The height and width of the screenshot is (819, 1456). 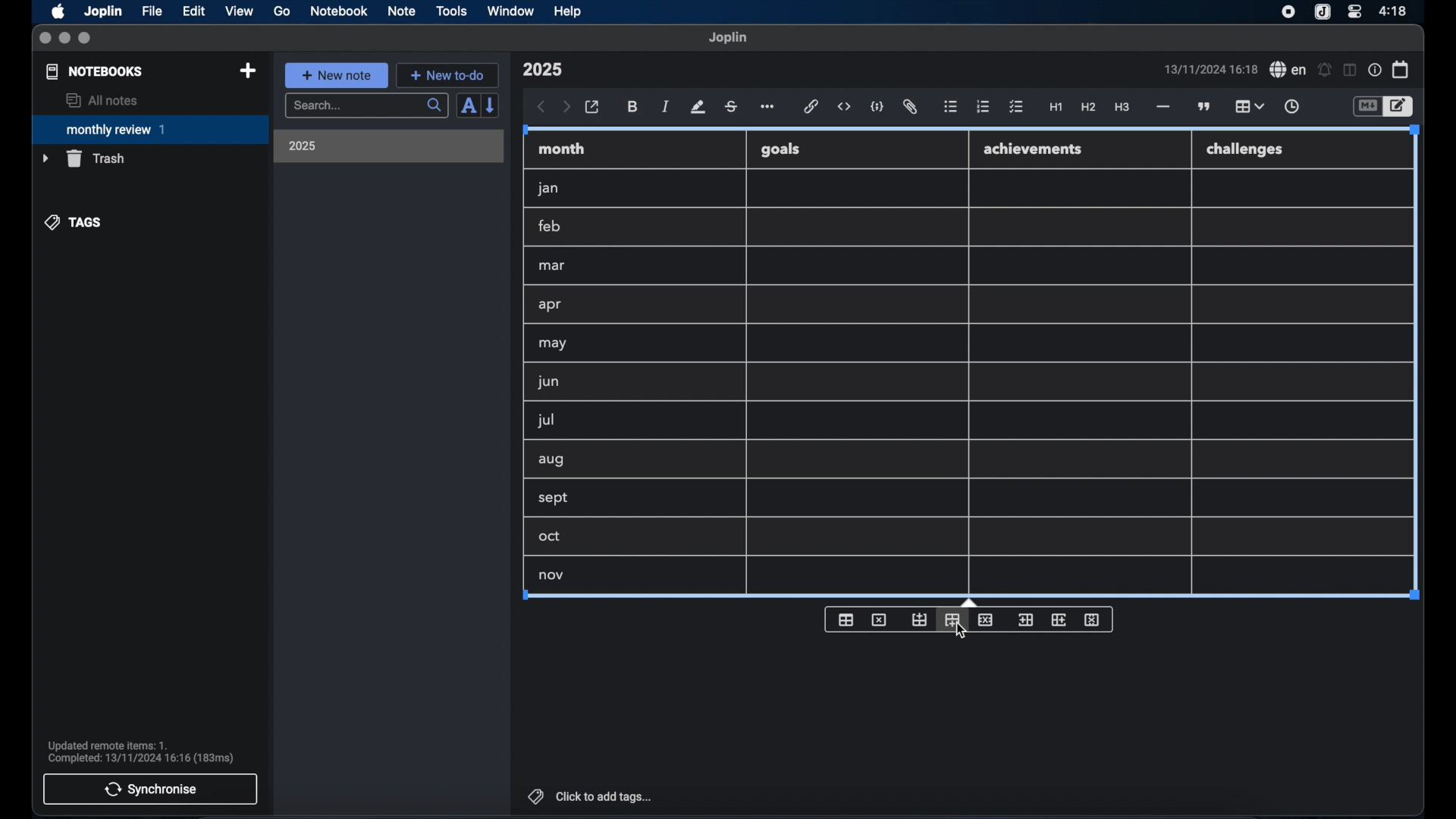 I want to click on jun, so click(x=547, y=381).